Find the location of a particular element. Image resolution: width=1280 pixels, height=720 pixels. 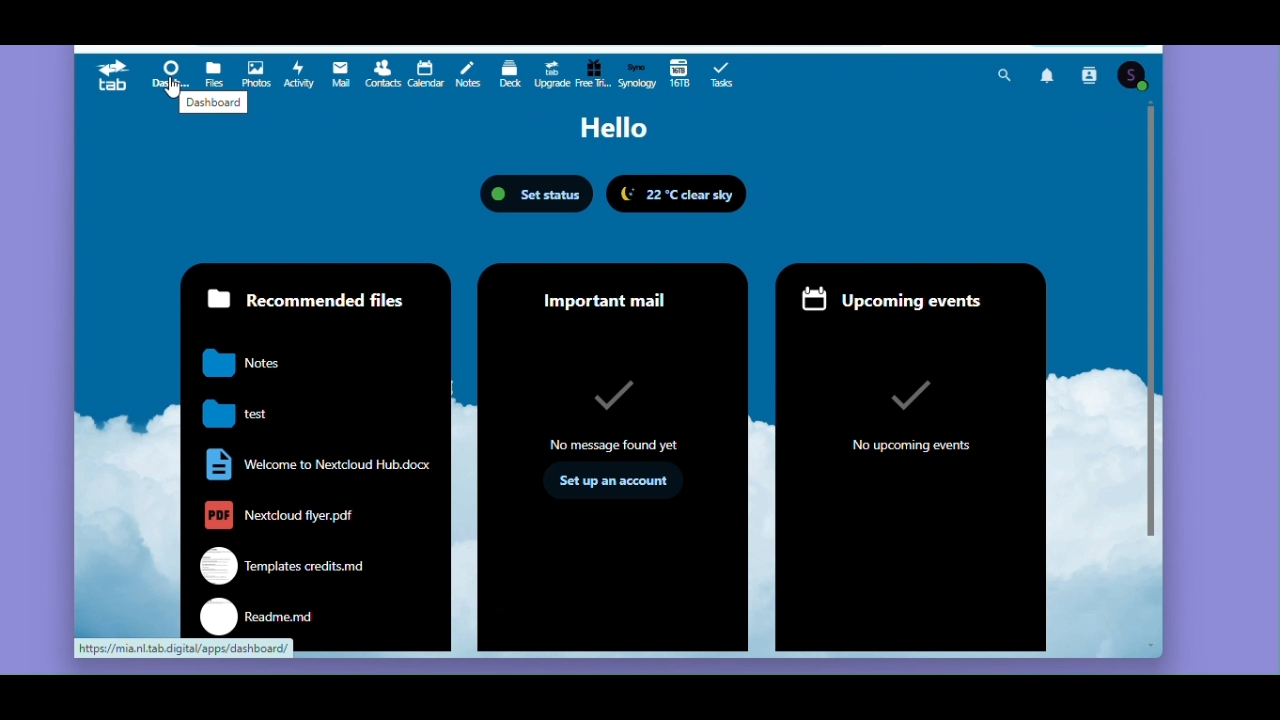

Activity is located at coordinates (297, 75).